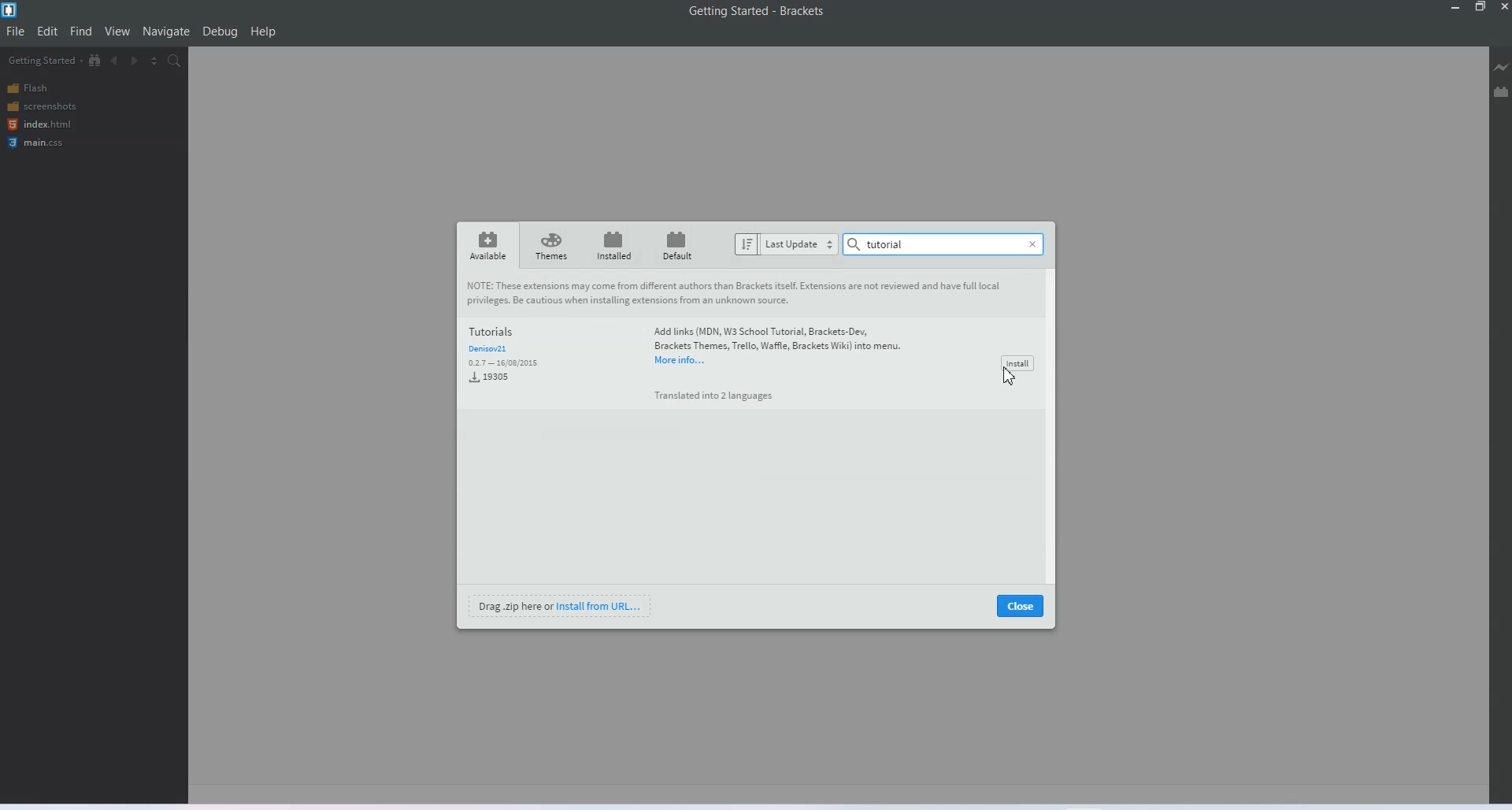  Describe the element at coordinates (675, 246) in the screenshot. I see `Default` at that location.